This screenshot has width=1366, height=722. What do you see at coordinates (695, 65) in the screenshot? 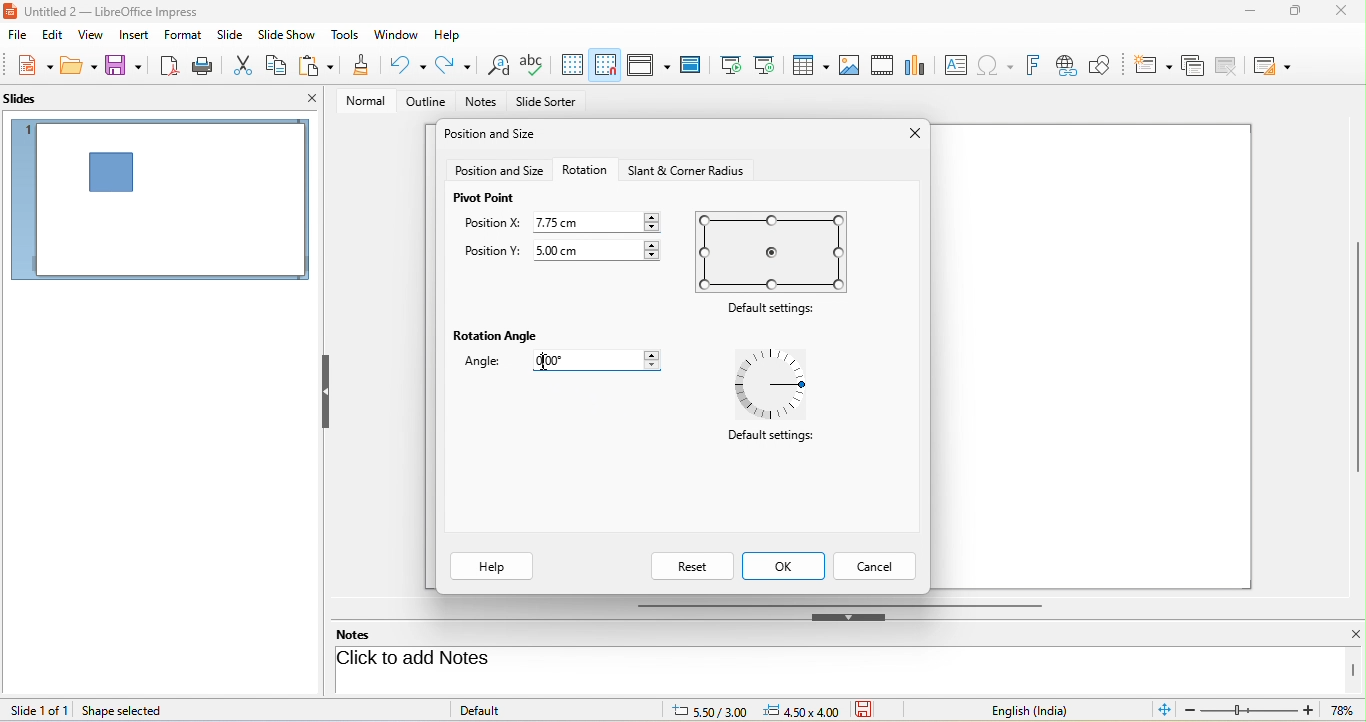
I see `master slide` at bounding box center [695, 65].